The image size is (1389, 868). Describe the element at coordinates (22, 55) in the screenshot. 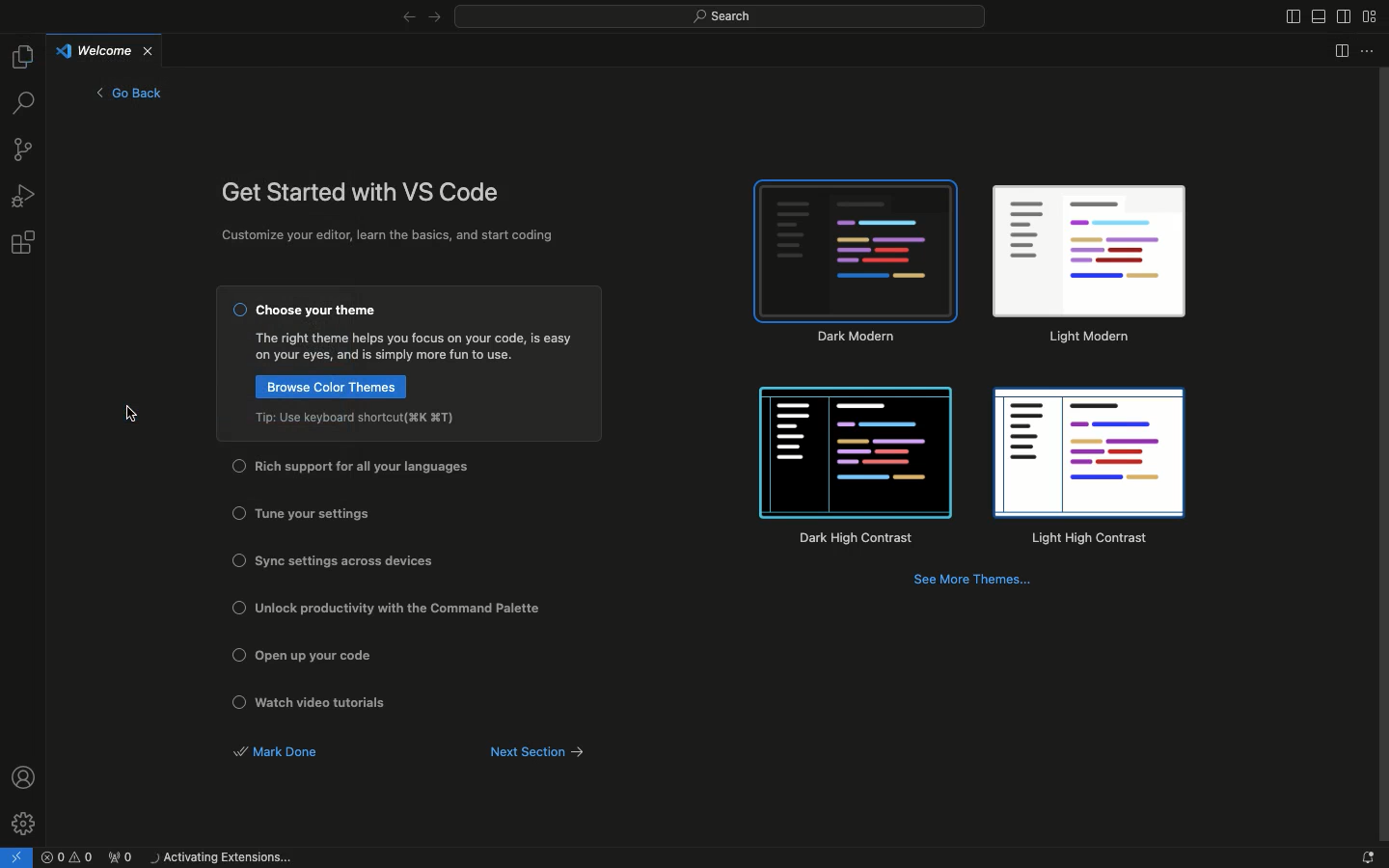

I see `Explorer` at that location.